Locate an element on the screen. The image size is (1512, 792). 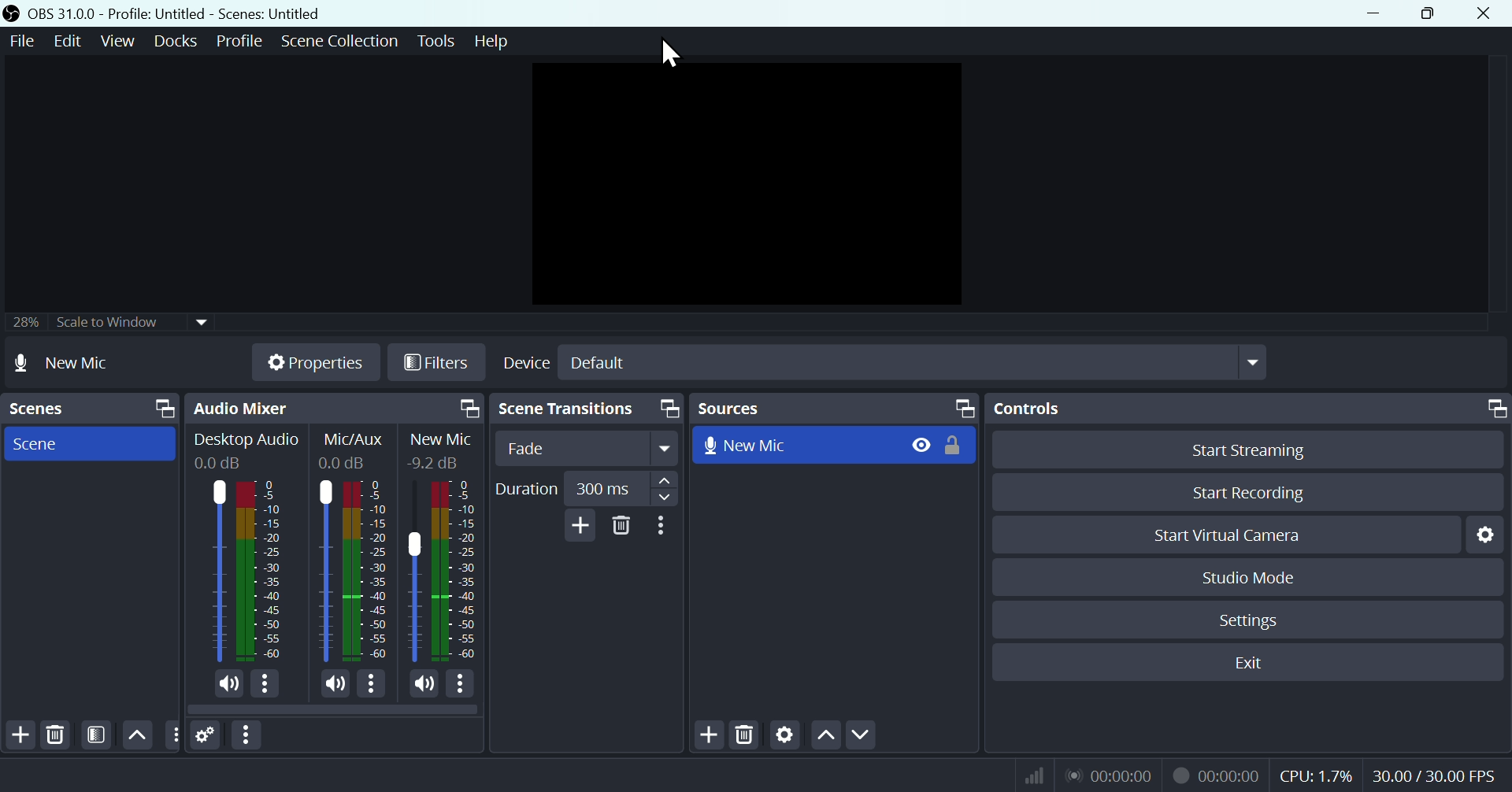
Settings is located at coordinates (785, 737).